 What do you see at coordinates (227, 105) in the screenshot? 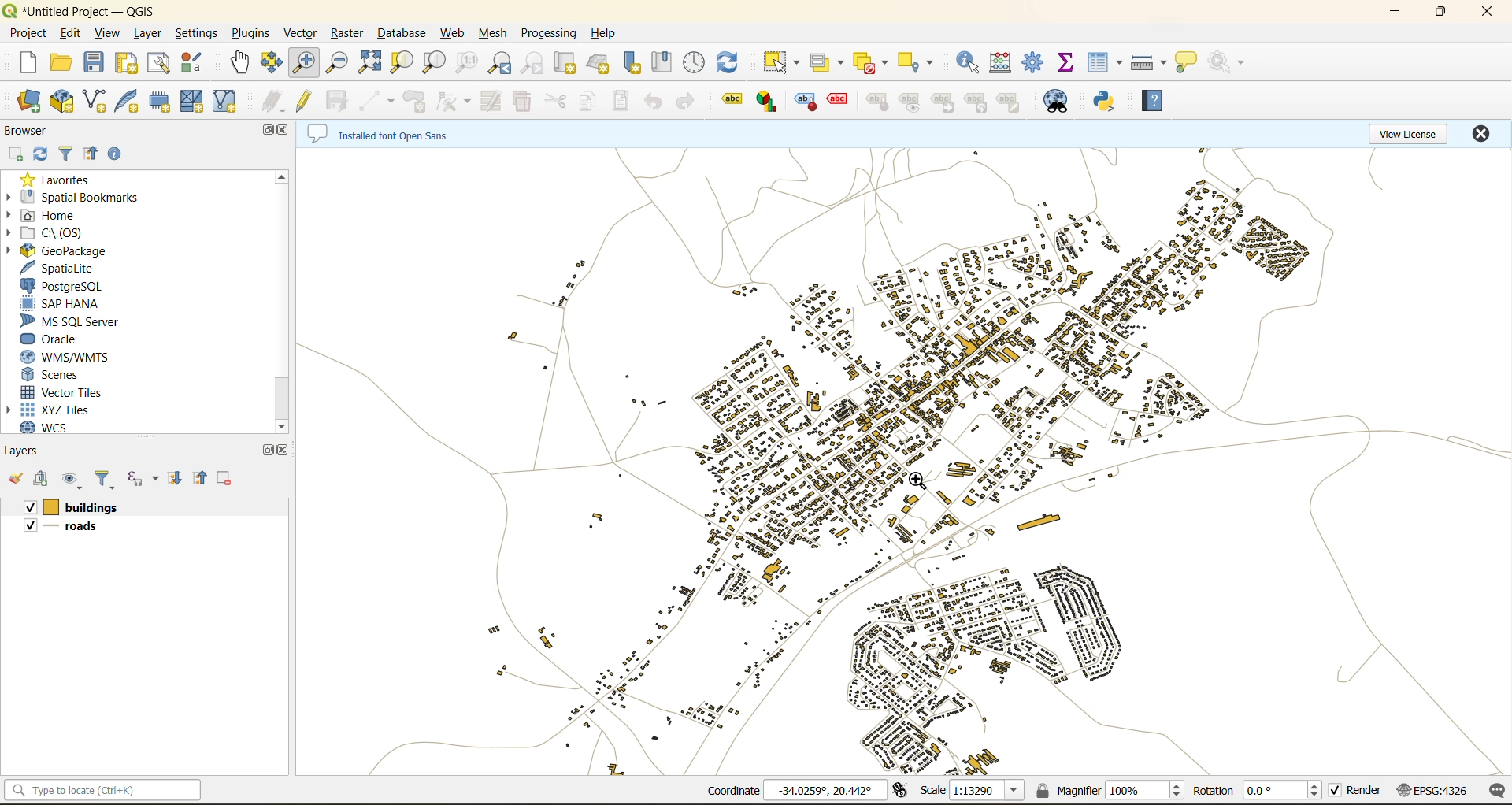
I see `new virtual layer` at bounding box center [227, 105].